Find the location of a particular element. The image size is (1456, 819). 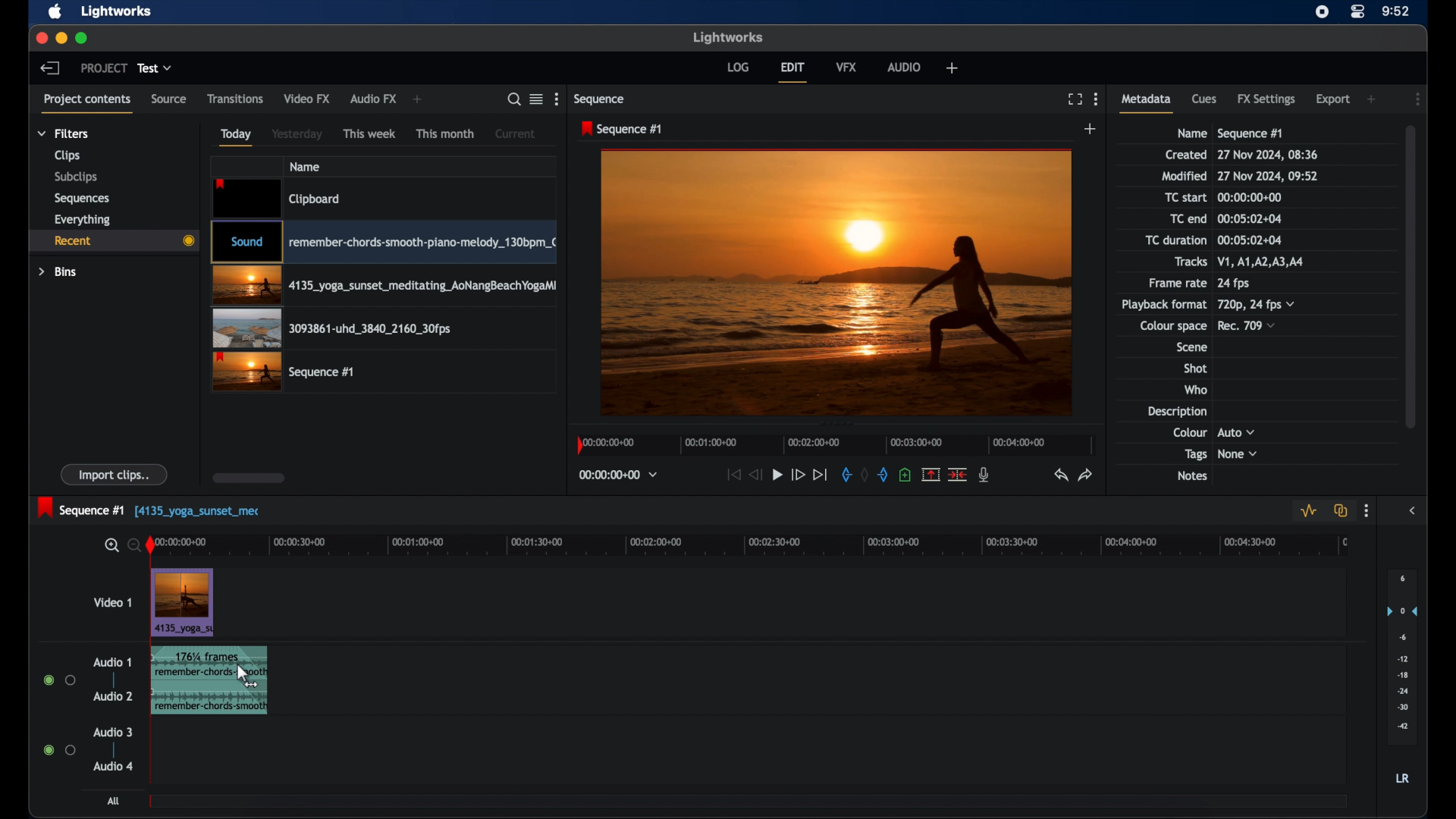

this month is located at coordinates (446, 134).